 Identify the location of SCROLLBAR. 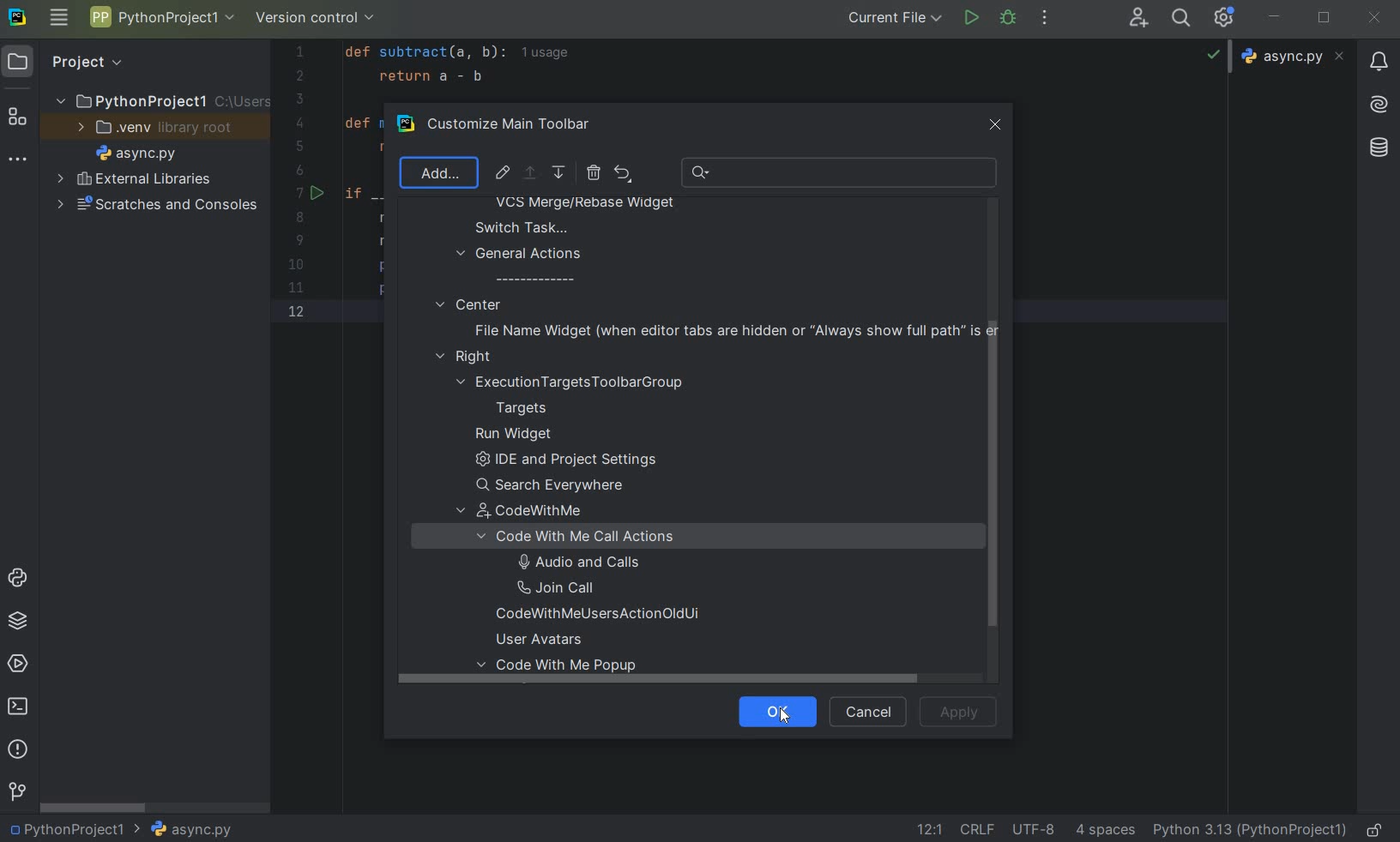
(94, 806).